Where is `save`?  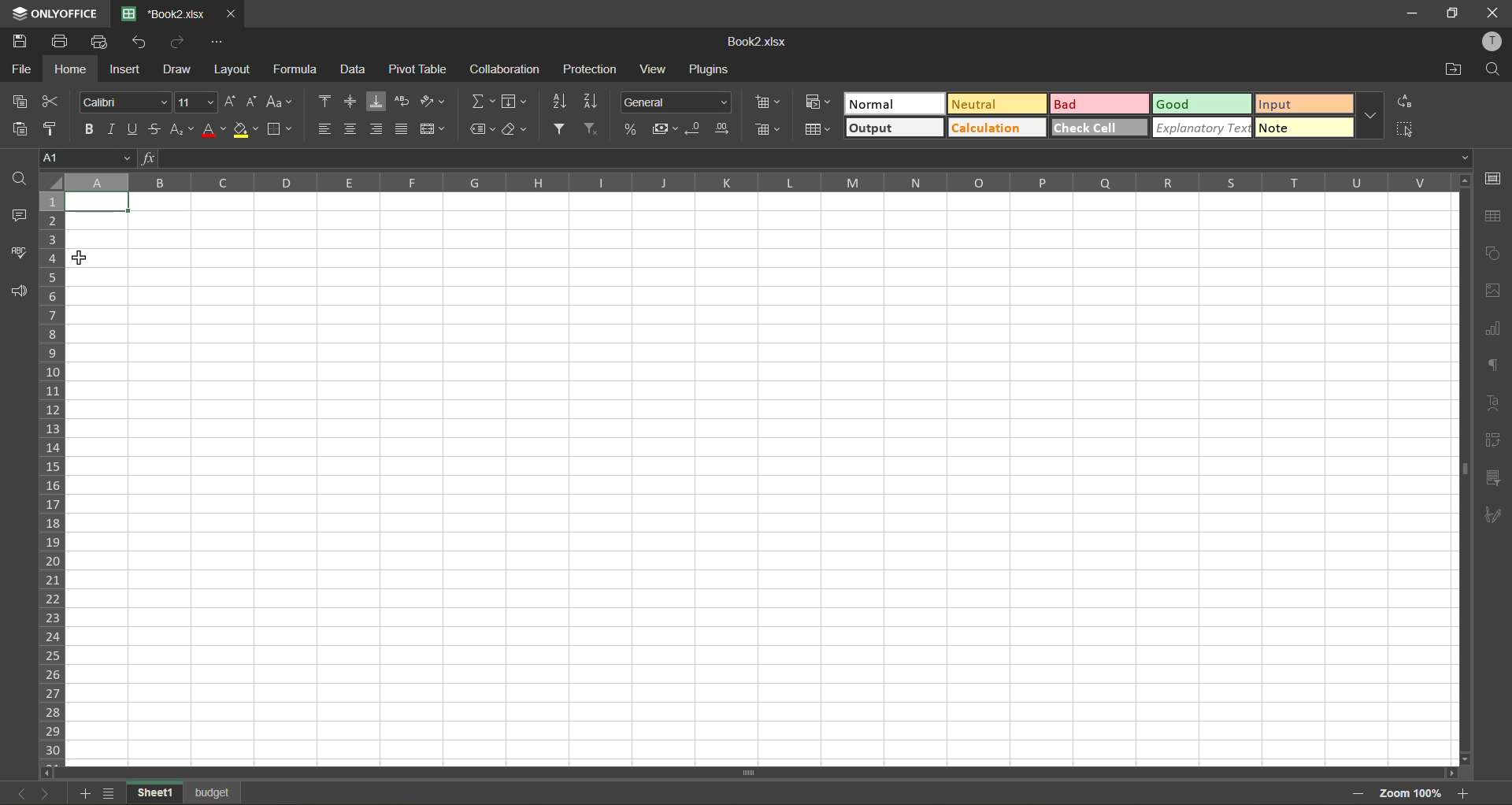
save is located at coordinates (20, 42).